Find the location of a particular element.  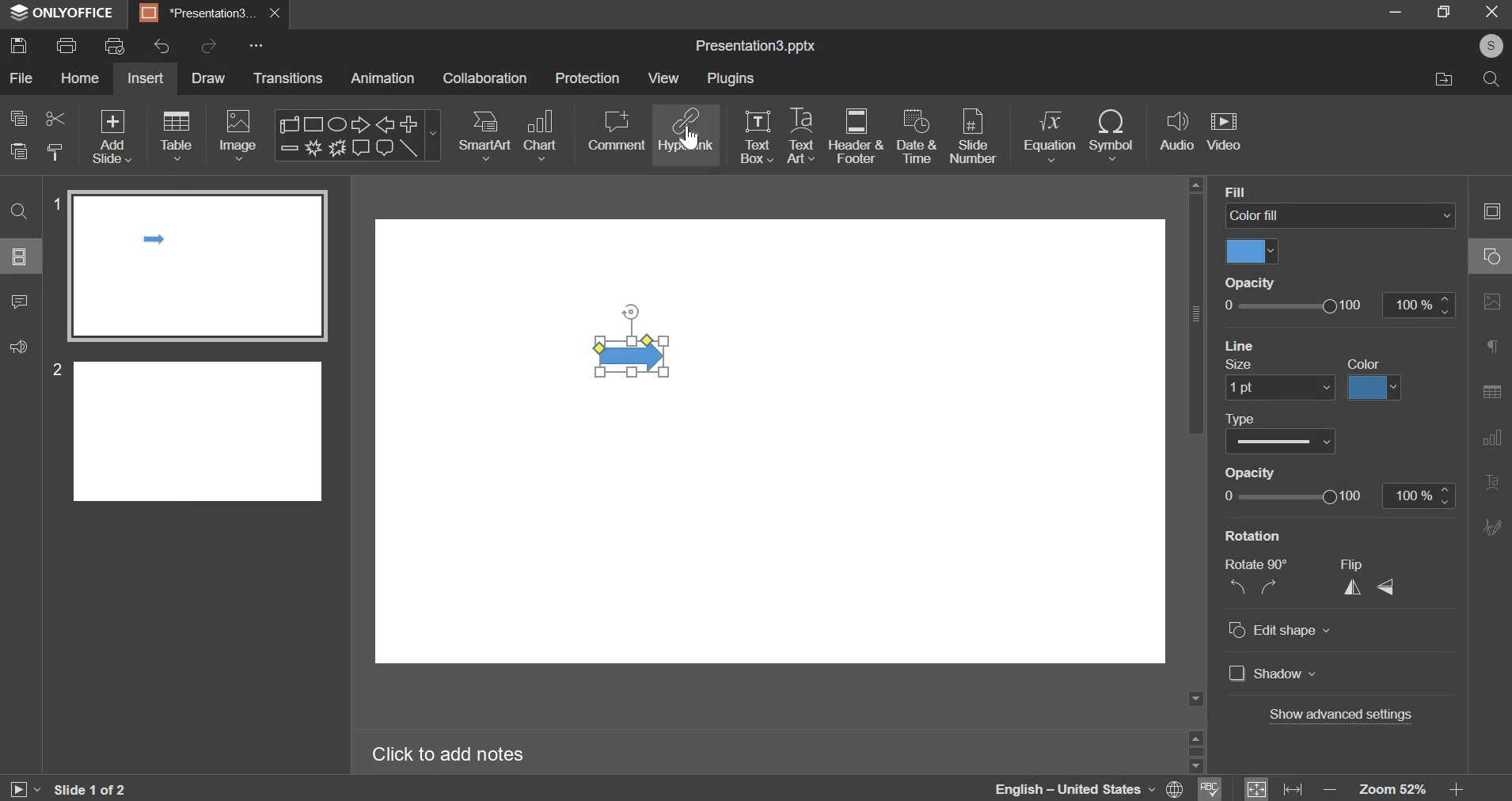

Chart settings is located at coordinates (1492, 438).